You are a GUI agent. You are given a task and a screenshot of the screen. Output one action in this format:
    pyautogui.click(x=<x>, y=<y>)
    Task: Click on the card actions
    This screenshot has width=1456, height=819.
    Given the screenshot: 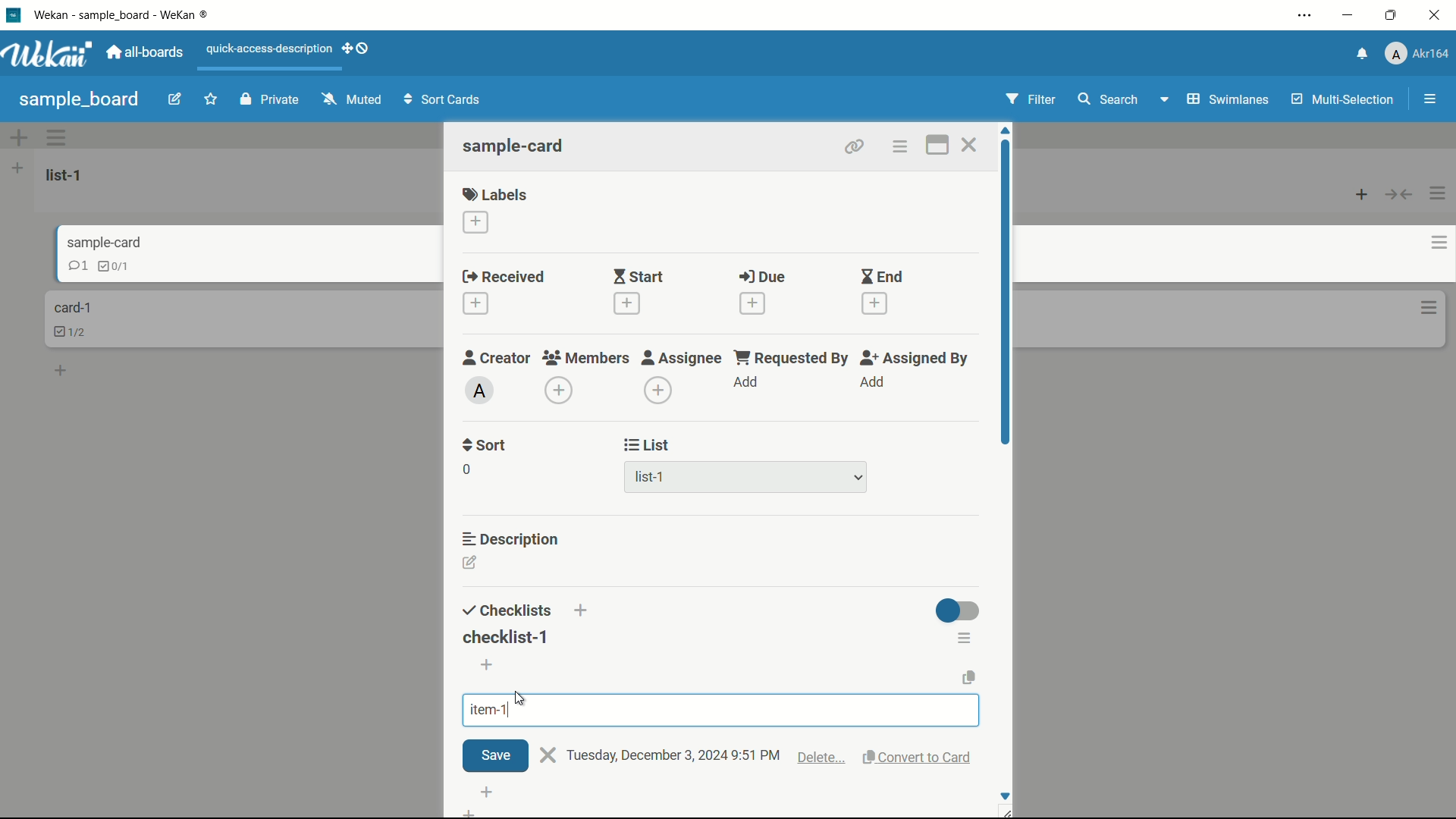 What is the action you would take?
    pyautogui.click(x=900, y=146)
    